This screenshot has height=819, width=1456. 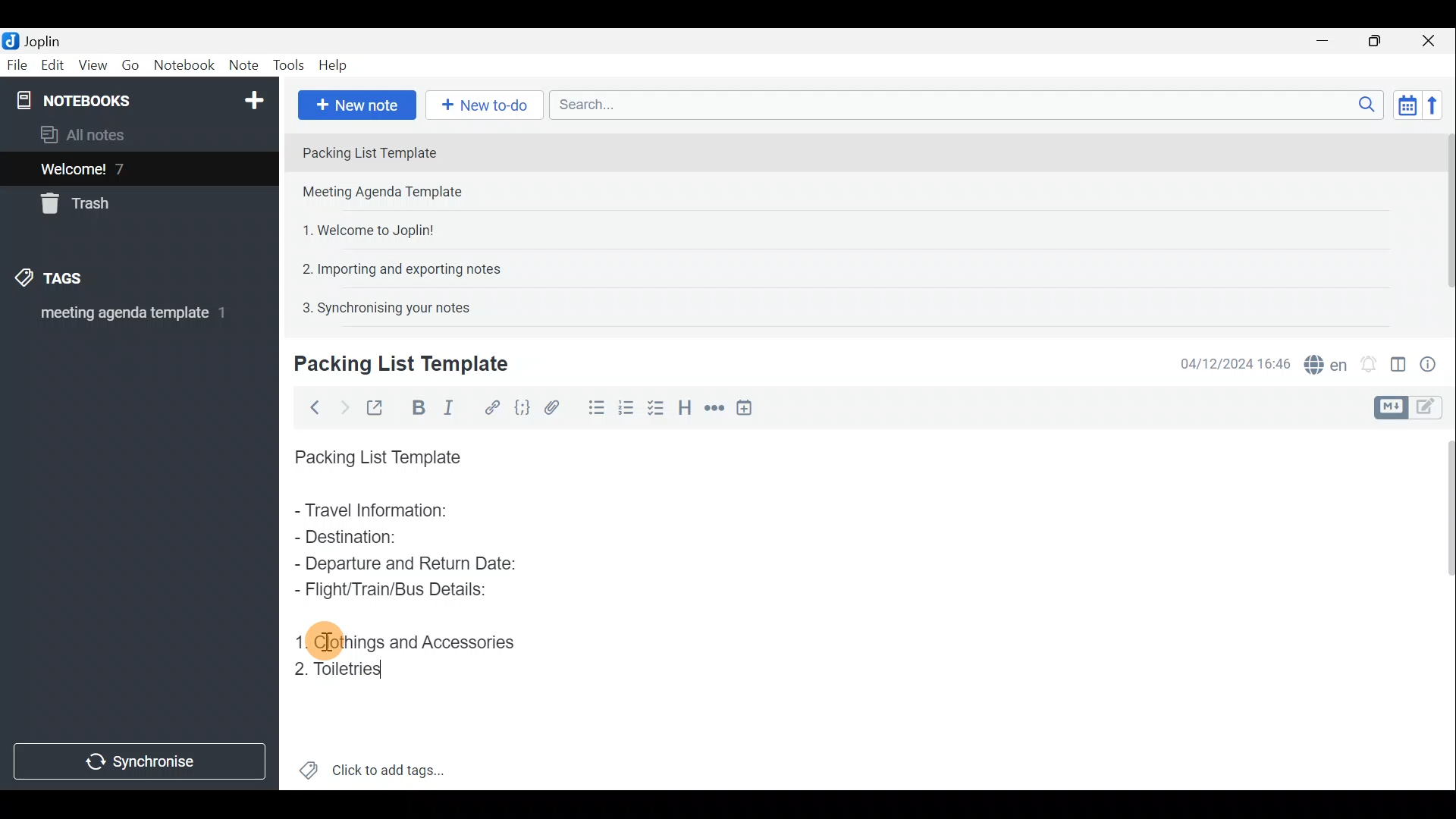 What do you see at coordinates (384, 512) in the screenshot?
I see `Travel Information:` at bounding box center [384, 512].